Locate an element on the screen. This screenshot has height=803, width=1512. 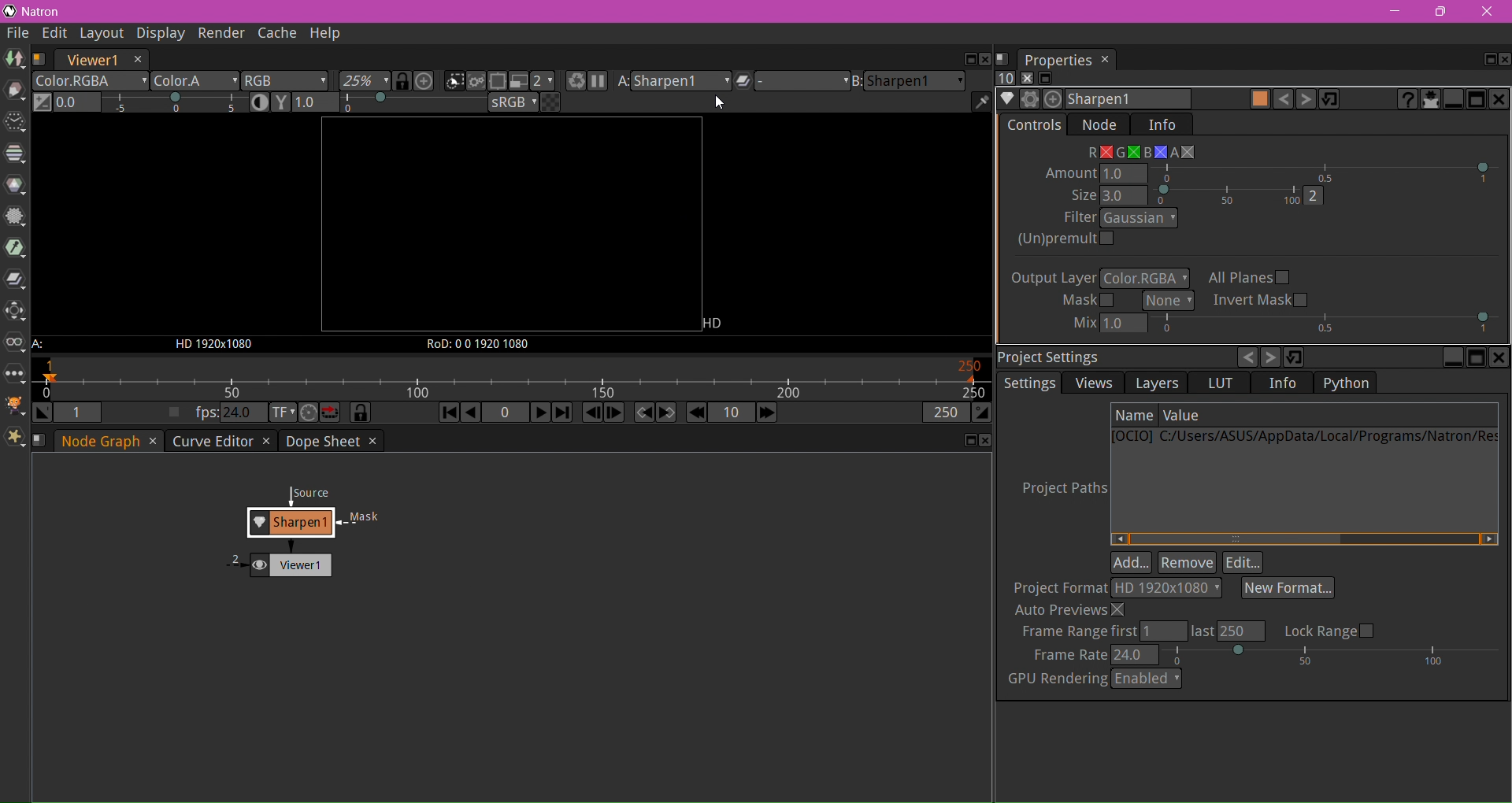
Close pane is located at coordinates (984, 441).